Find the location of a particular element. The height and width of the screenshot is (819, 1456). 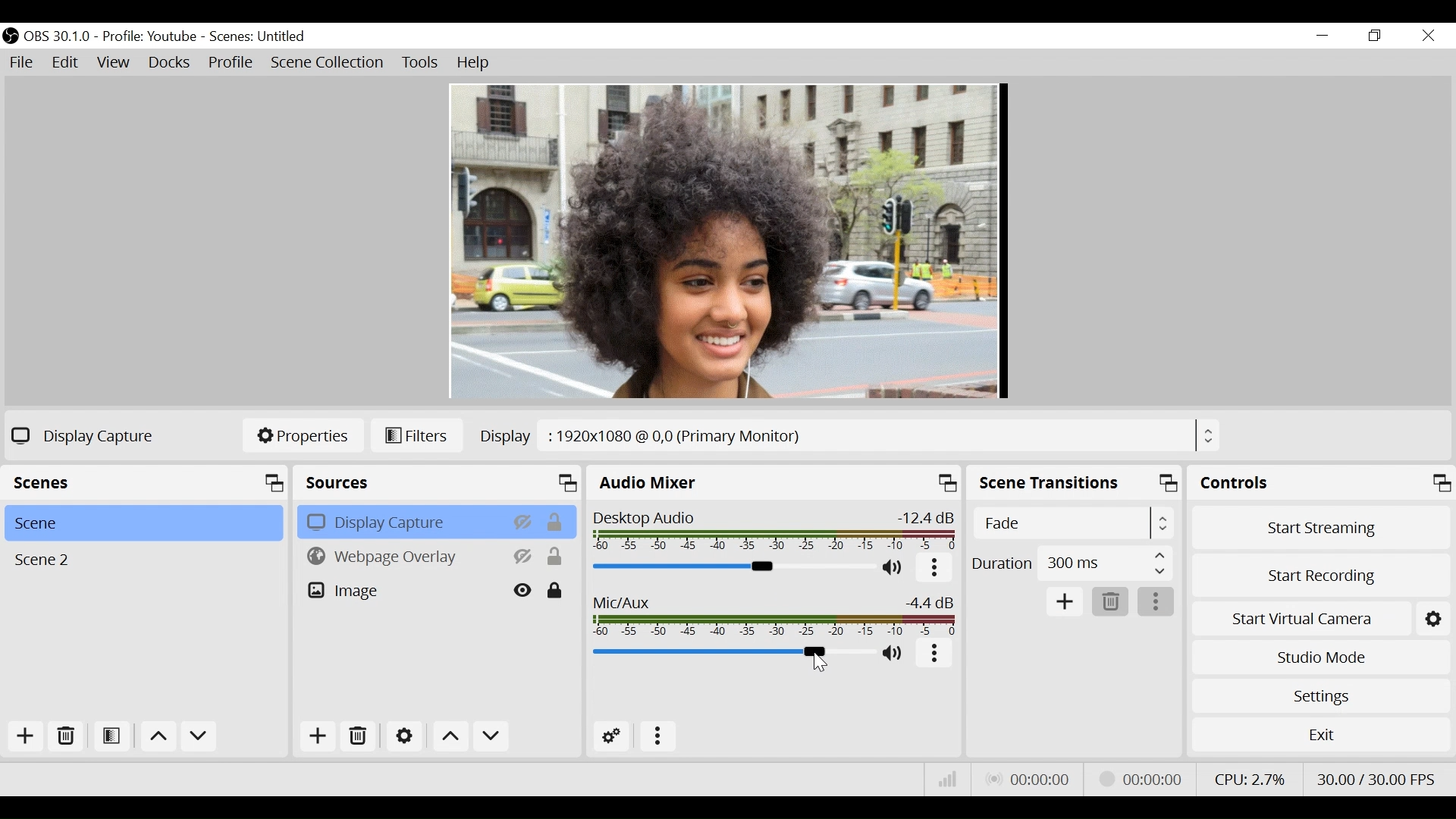

Move down is located at coordinates (198, 736).